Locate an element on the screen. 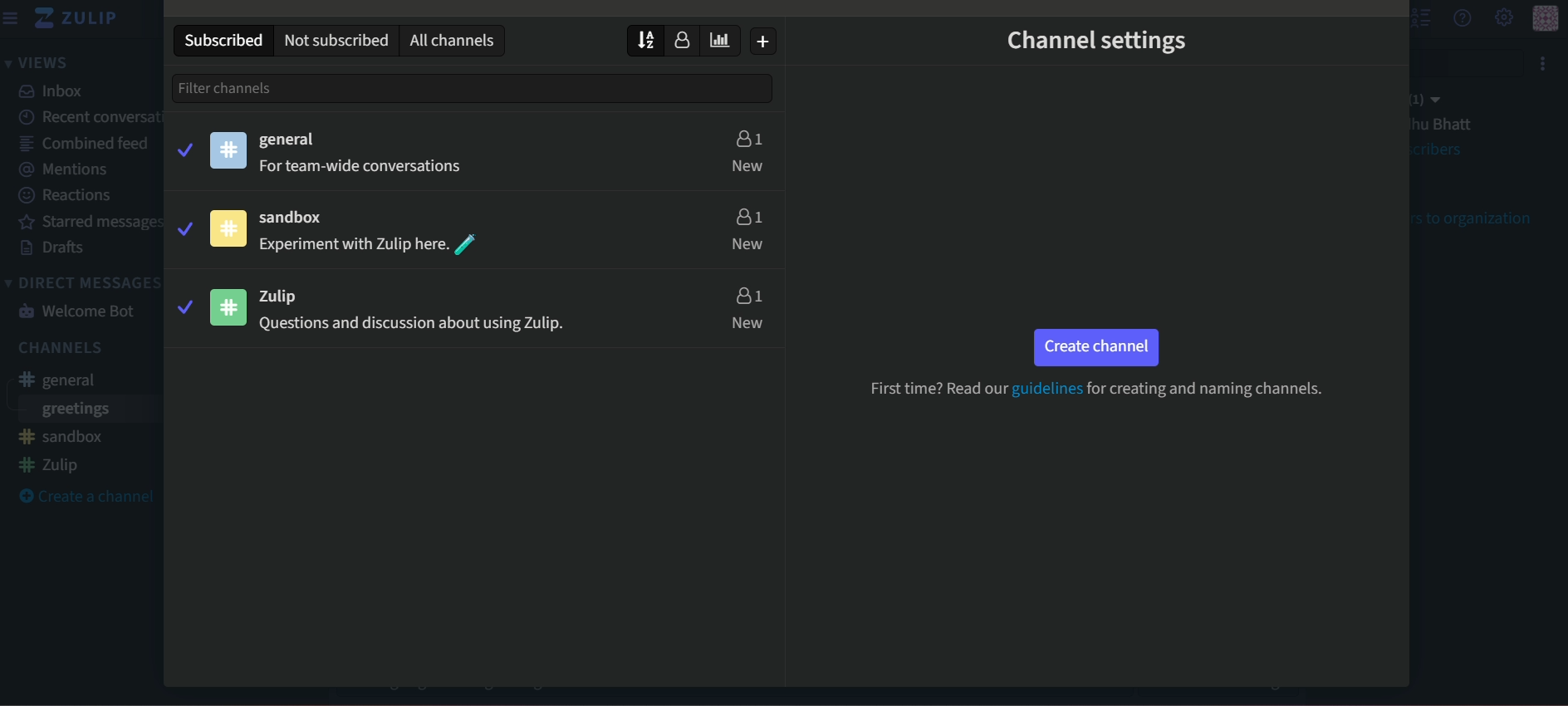  icon is located at coordinates (226, 150).